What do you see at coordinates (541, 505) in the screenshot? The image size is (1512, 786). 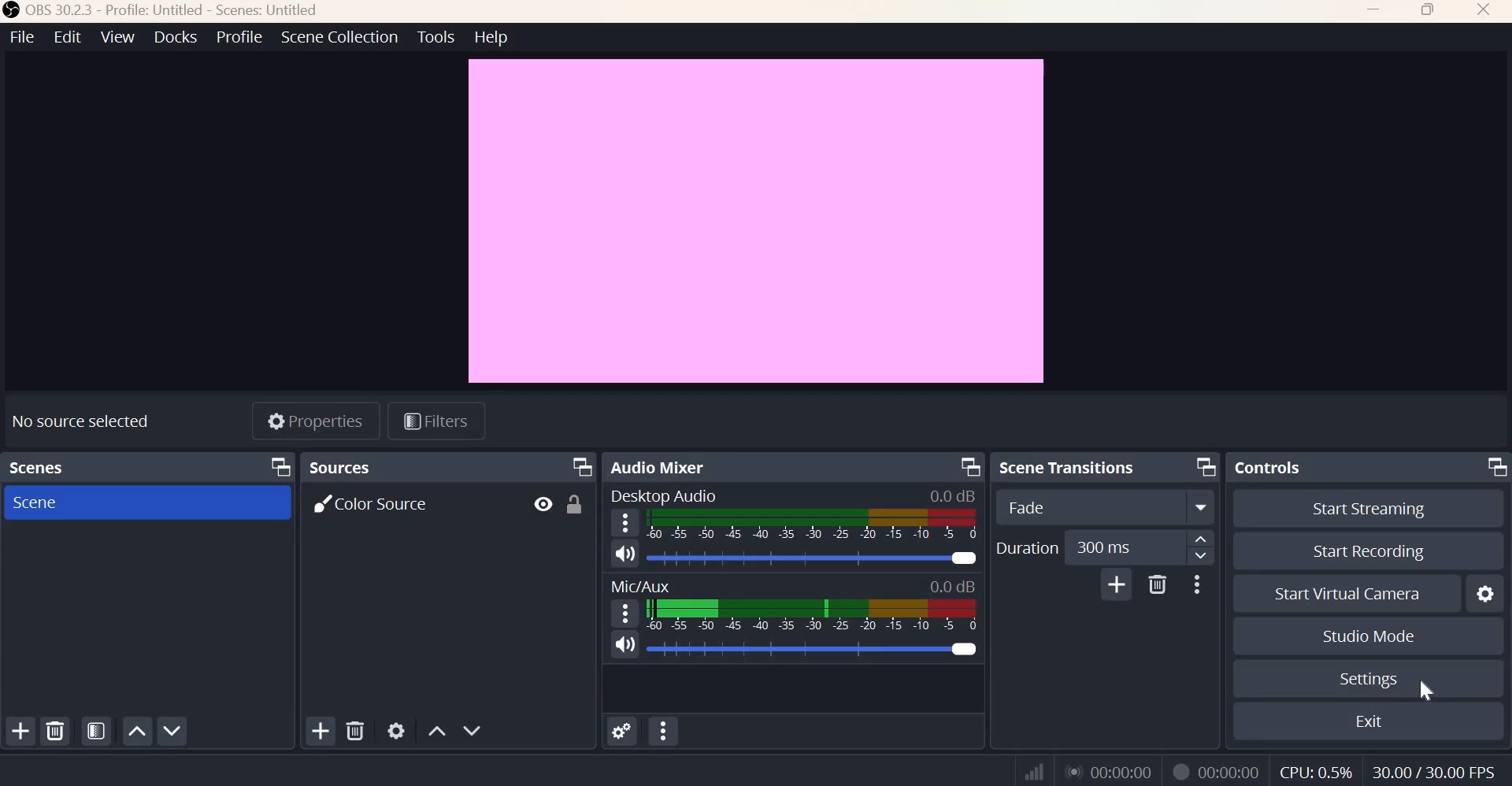 I see `Visibility Toggle` at bounding box center [541, 505].